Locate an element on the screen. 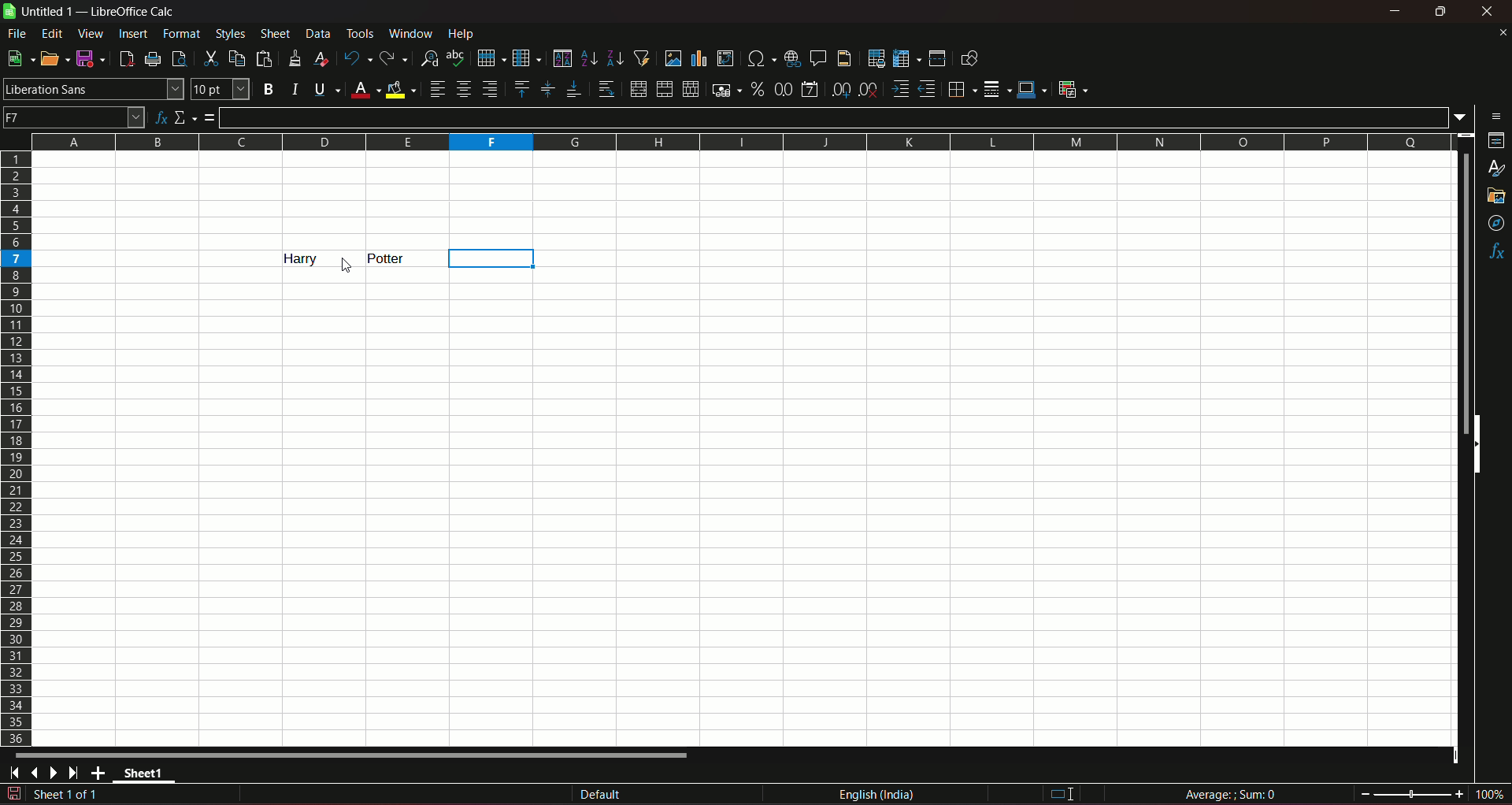  undo is located at coordinates (356, 57).